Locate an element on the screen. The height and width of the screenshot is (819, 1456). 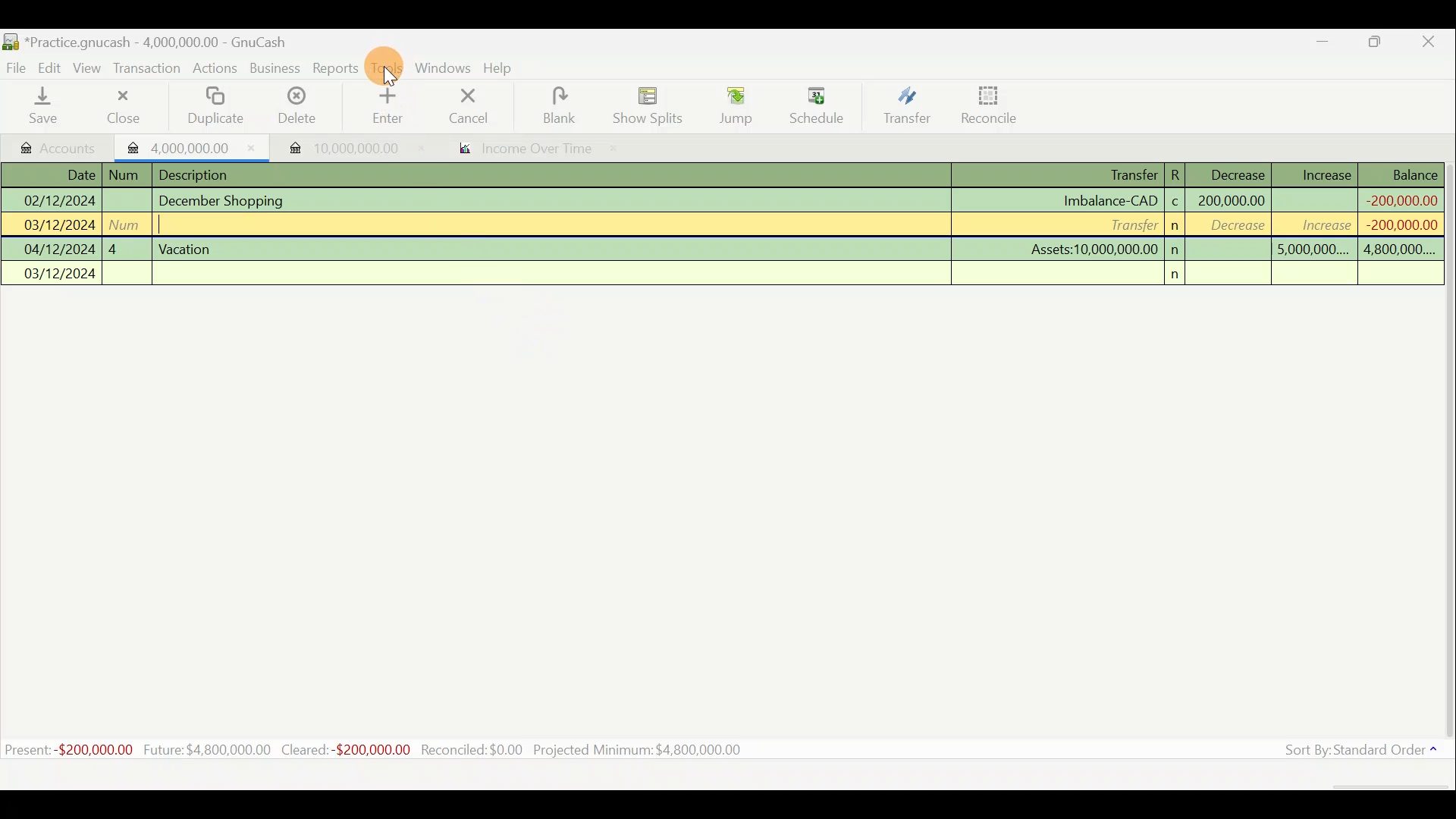
num is located at coordinates (127, 175).